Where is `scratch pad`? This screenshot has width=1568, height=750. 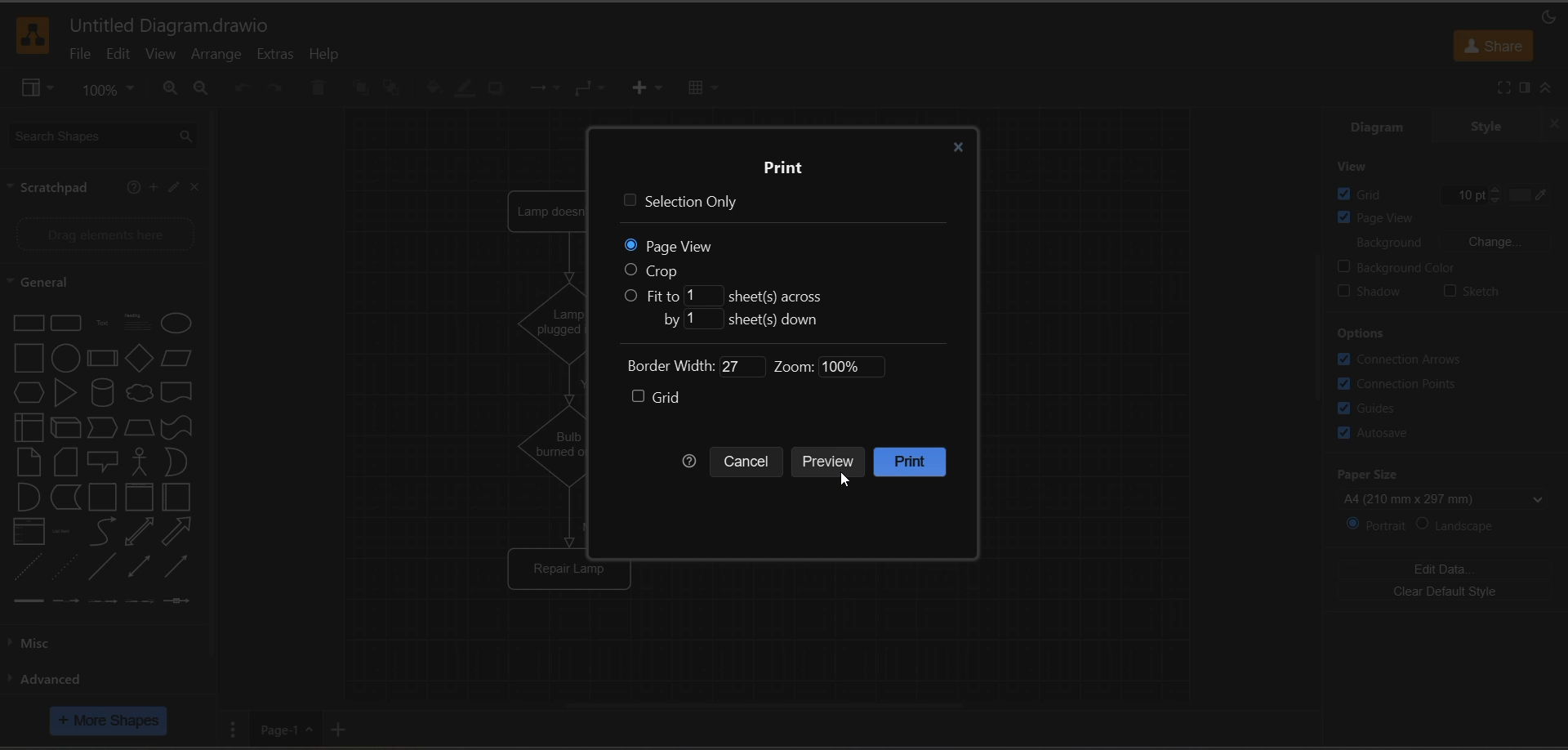
scratch pad is located at coordinates (46, 185).